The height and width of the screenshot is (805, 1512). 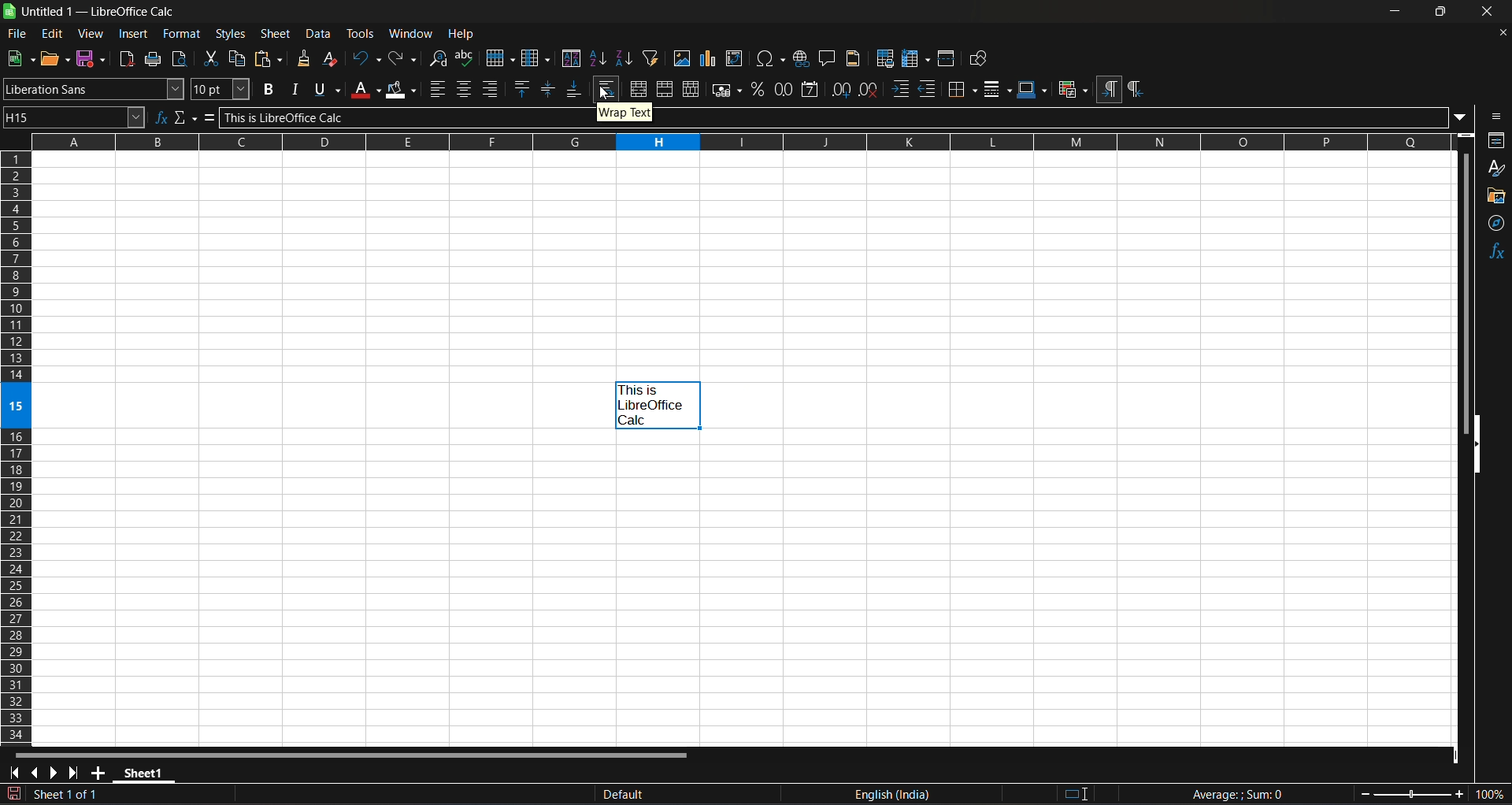 What do you see at coordinates (657, 405) in the screenshot?
I see `text in the cell is wrapped` at bounding box center [657, 405].